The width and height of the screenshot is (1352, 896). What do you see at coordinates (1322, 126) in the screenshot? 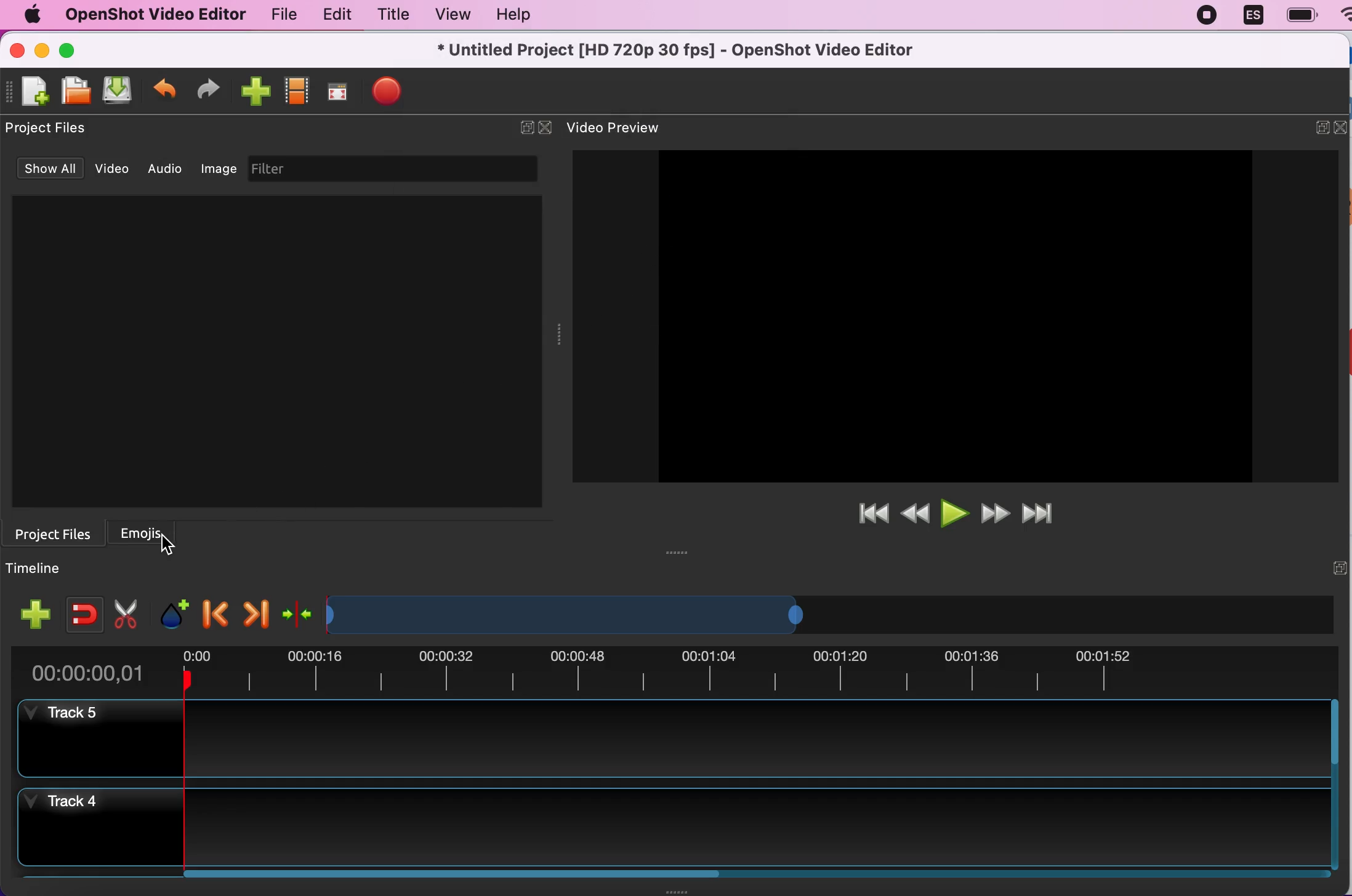
I see `expand/hide` at bounding box center [1322, 126].